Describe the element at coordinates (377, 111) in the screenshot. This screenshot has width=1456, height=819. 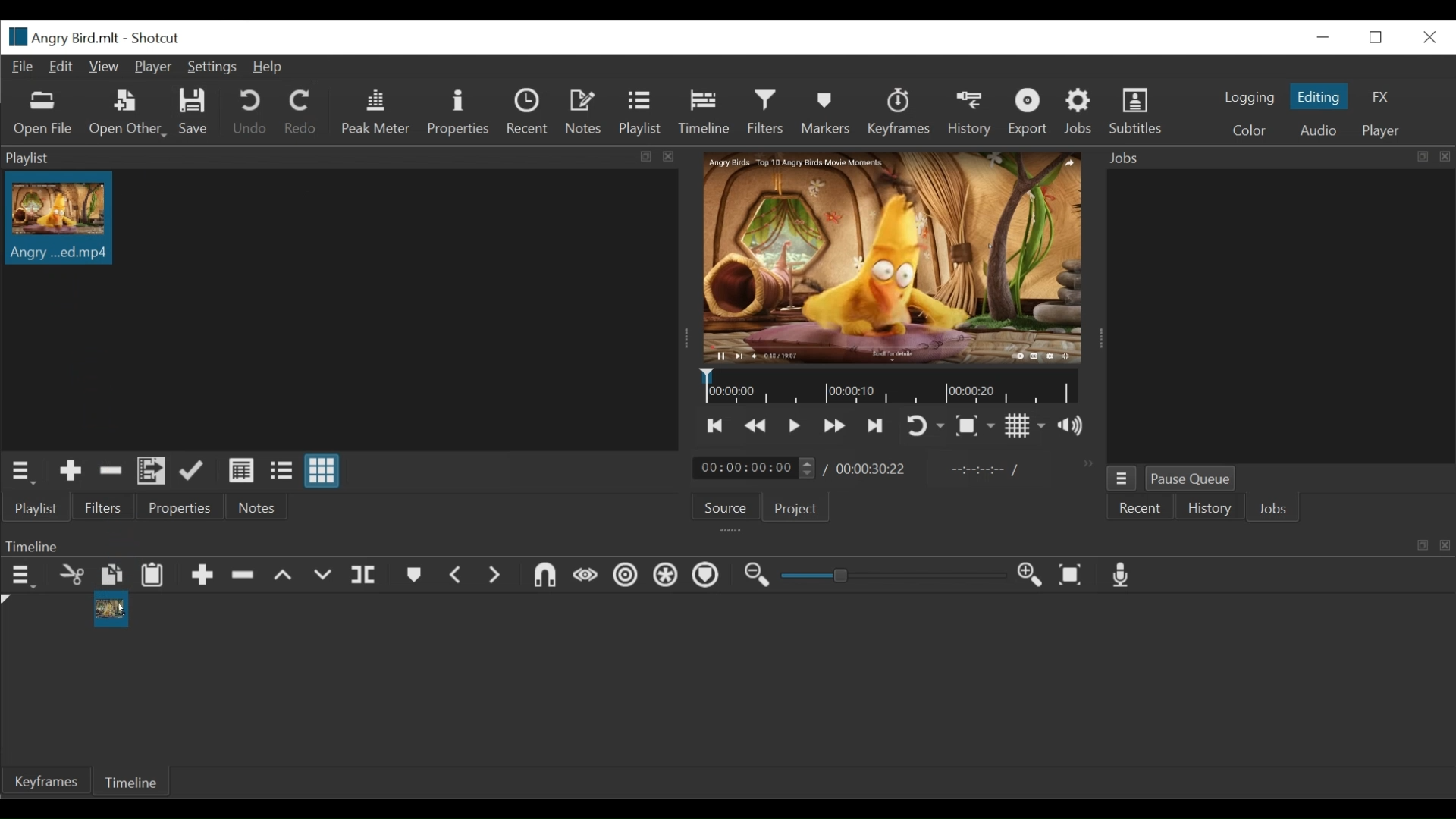
I see `Peak Meter` at that location.